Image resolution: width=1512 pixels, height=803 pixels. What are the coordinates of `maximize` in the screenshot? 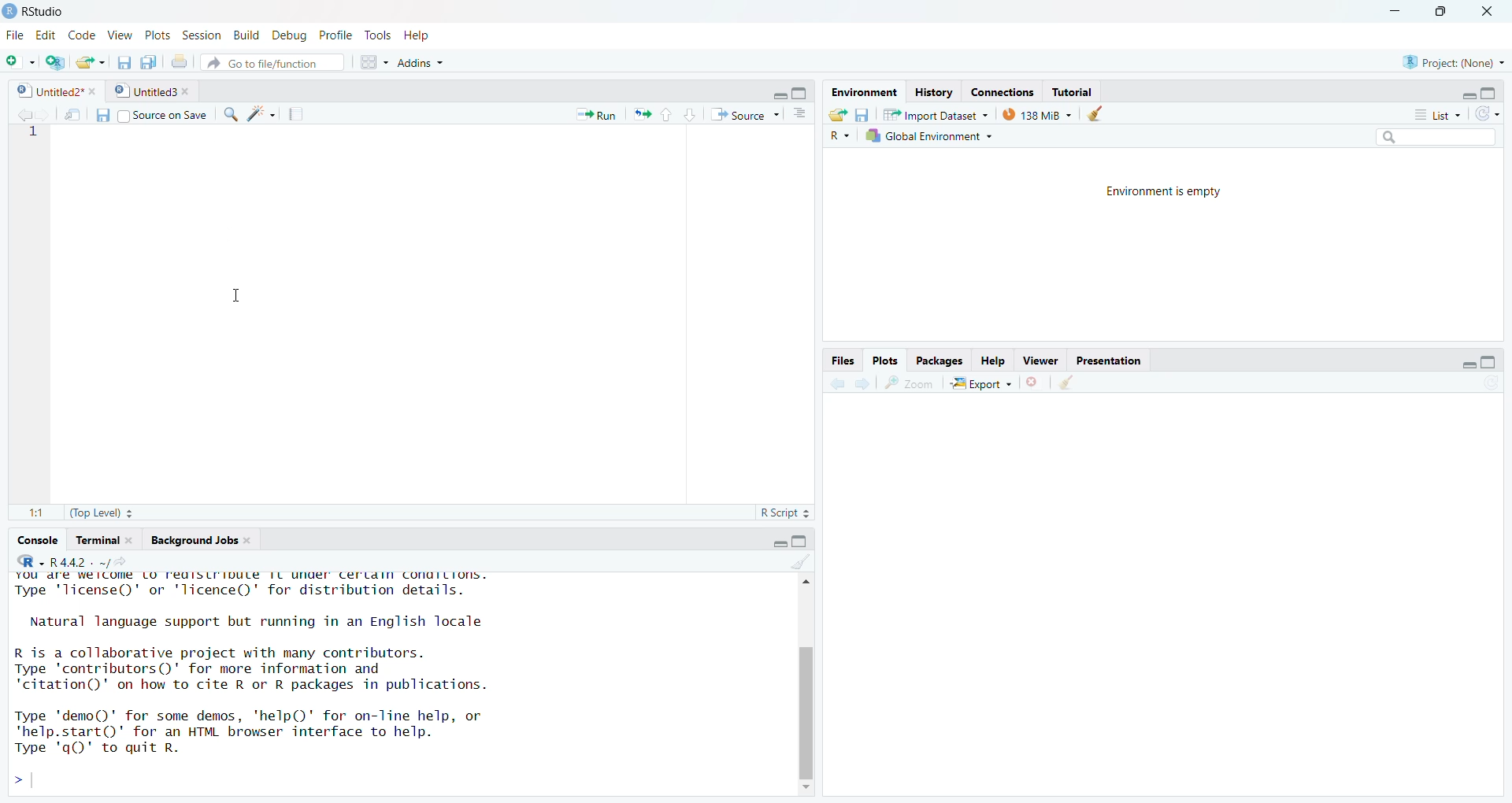 It's located at (1448, 14).